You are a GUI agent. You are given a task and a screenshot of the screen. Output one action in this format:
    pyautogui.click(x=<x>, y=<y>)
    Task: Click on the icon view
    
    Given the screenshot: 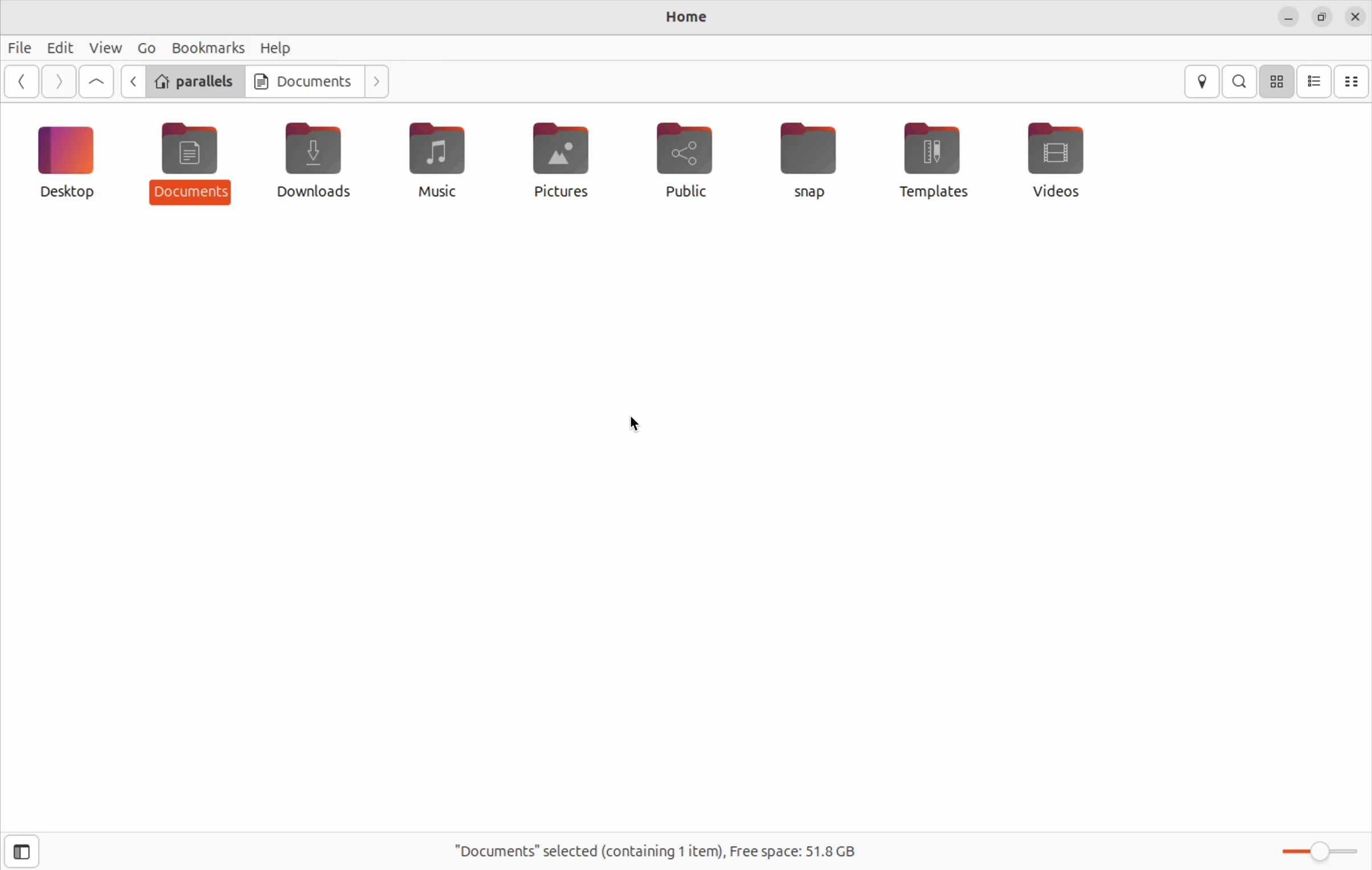 What is the action you would take?
    pyautogui.click(x=1279, y=80)
    